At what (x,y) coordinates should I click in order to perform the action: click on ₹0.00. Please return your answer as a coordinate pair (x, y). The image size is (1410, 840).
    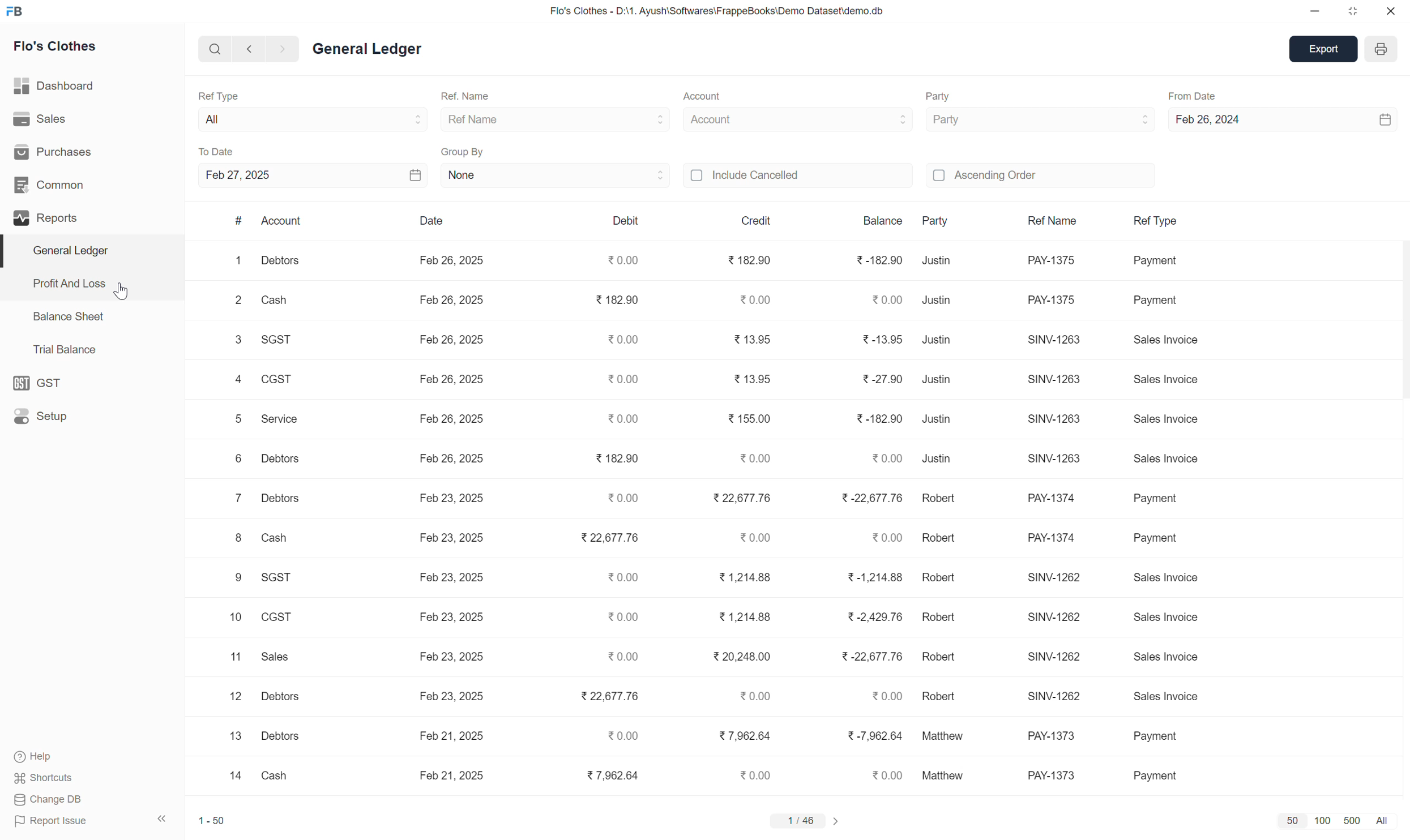
    Looking at the image, I should click on (758, 300).